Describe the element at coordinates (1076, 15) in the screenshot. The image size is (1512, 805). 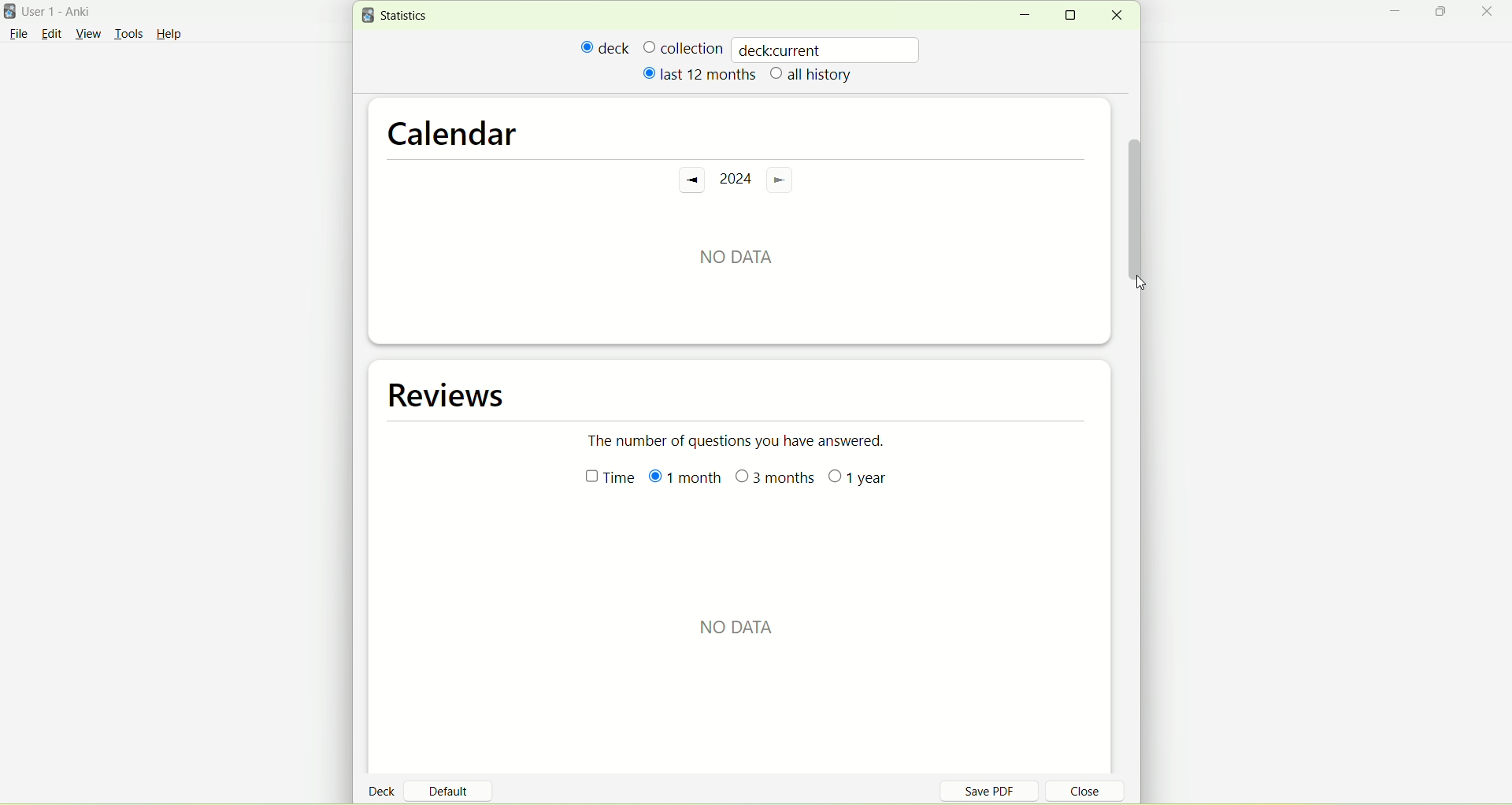
I see `maximize` at that location.